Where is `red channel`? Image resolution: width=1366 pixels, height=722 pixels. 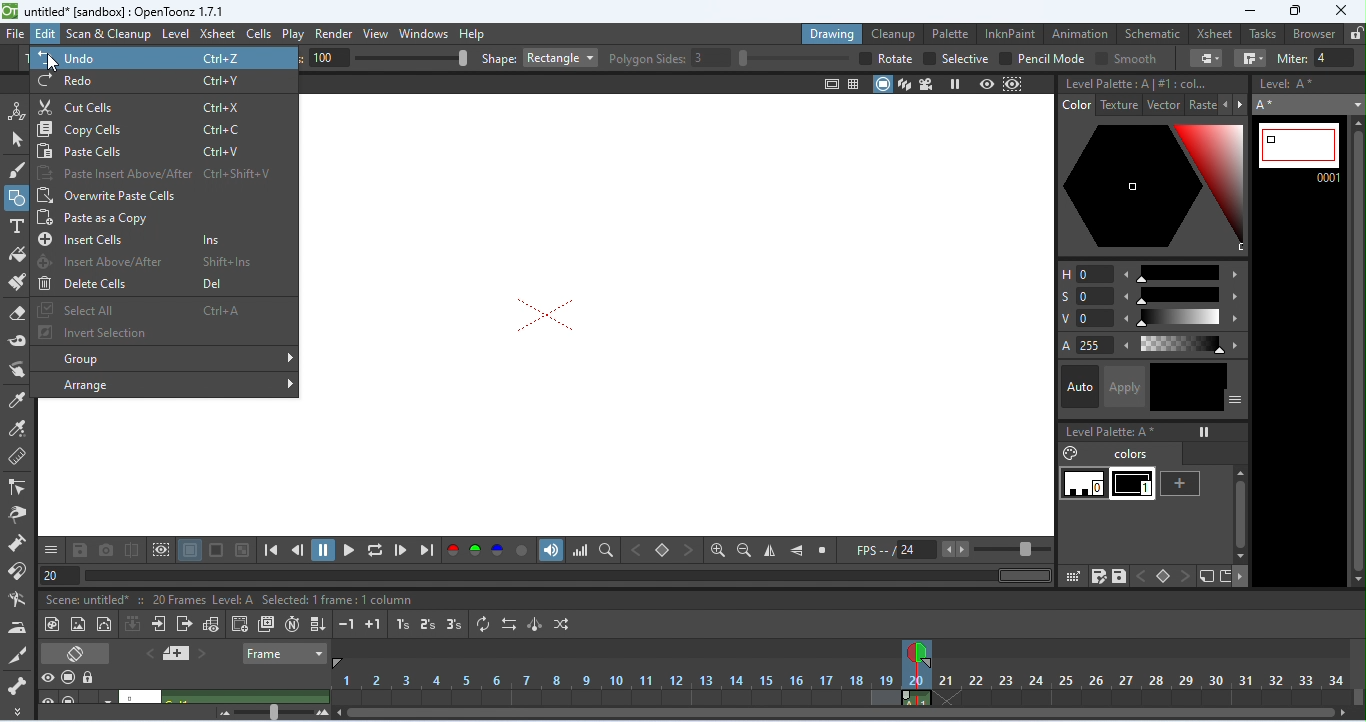
red channel is located at coordinates (452, 551).